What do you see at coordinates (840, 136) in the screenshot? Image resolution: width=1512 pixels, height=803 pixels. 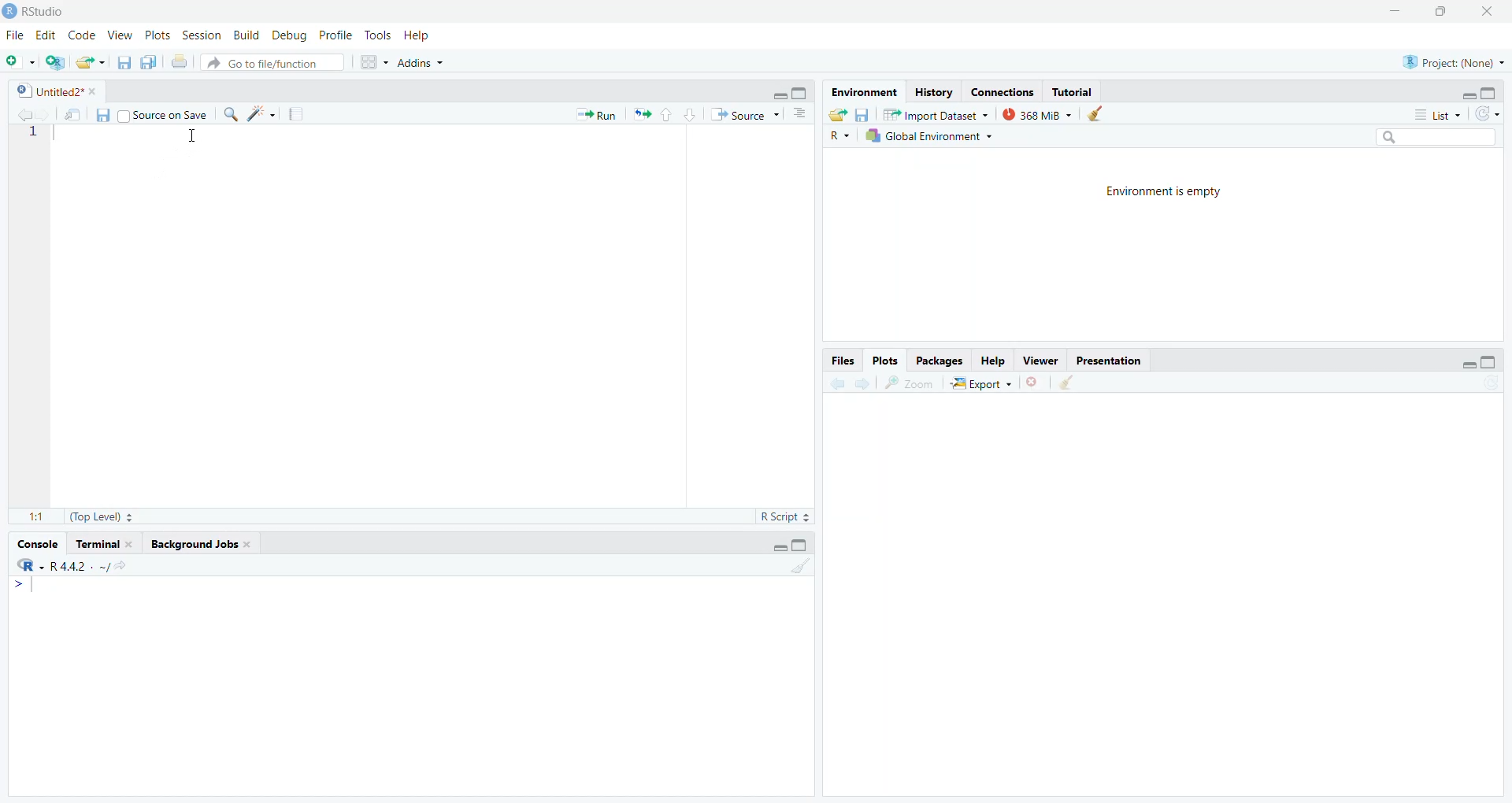 I see `R ~` at bounding box center [840, 136].